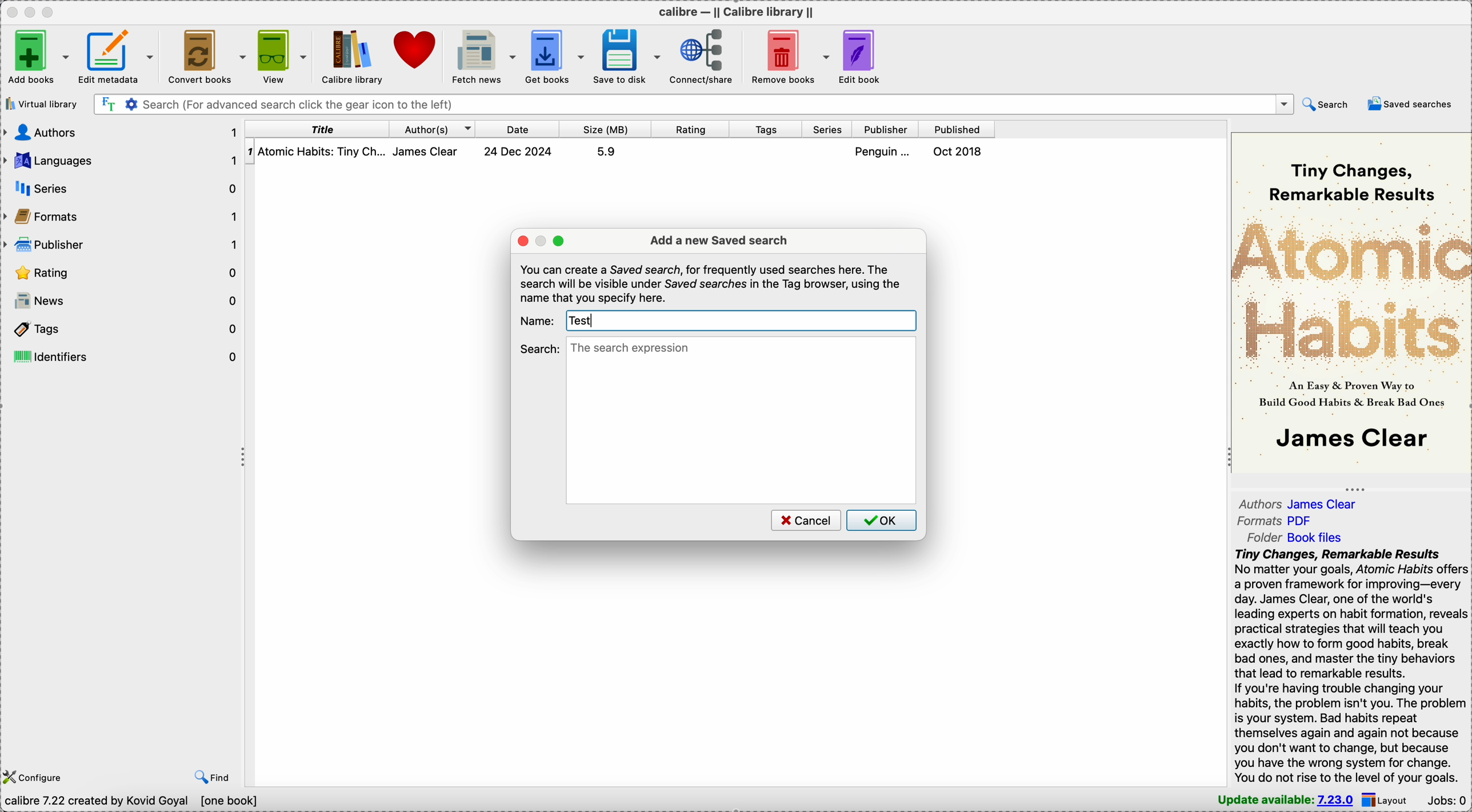 This screenshot has height=812, width=1472. Describe the element at coordinates (323, 152) in the screenshot. I see `atomic habits: Tiny changes, remarkable results` at that location.